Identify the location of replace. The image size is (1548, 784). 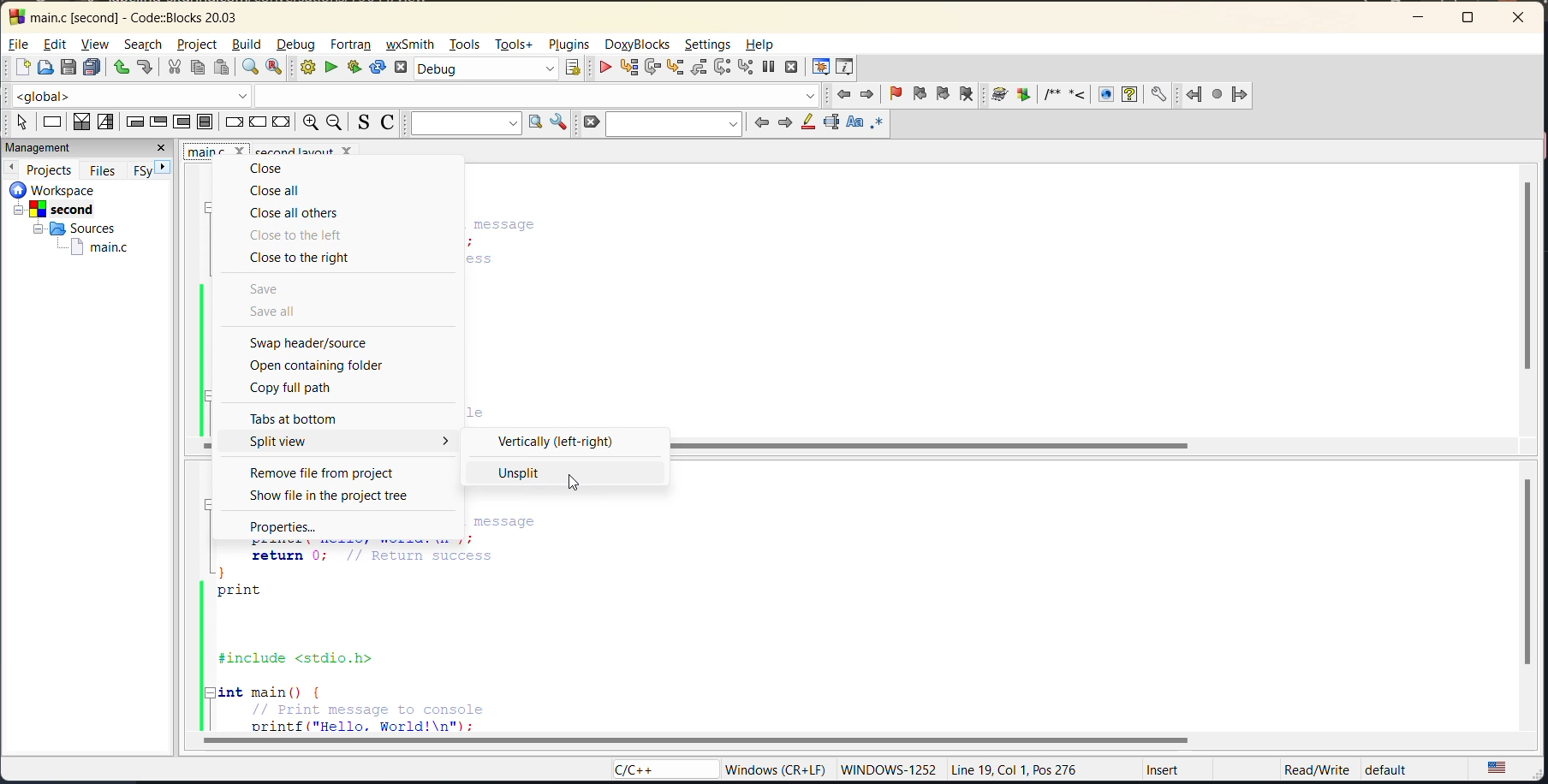
(277, 68).